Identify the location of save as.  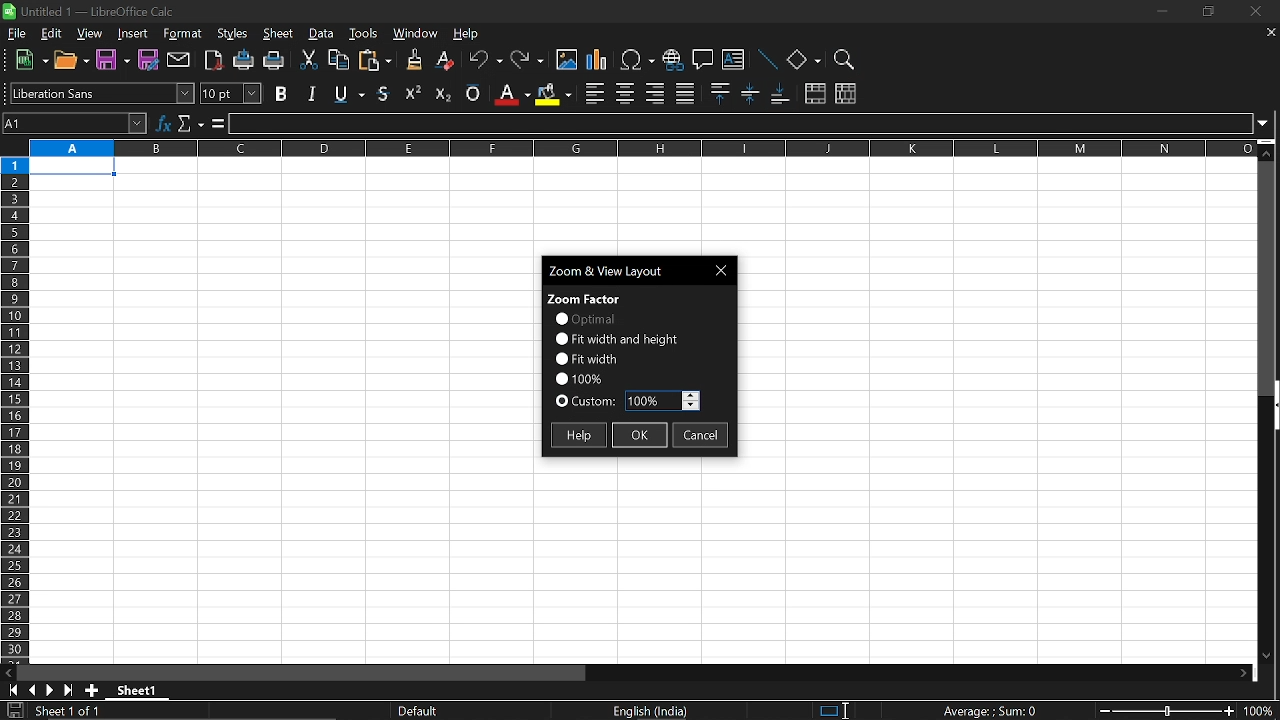
(149, 60).